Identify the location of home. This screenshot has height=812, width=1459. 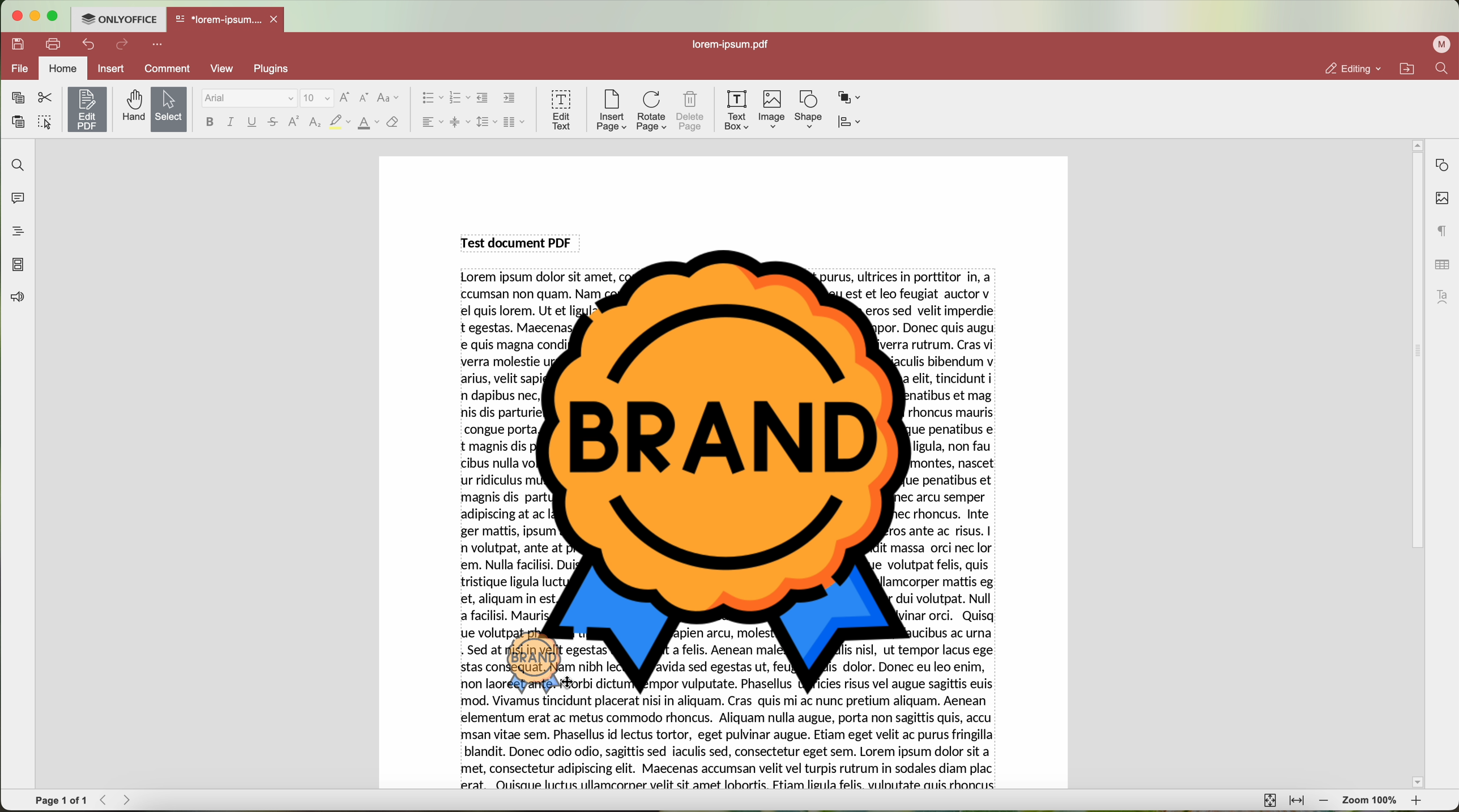
(63, 70).